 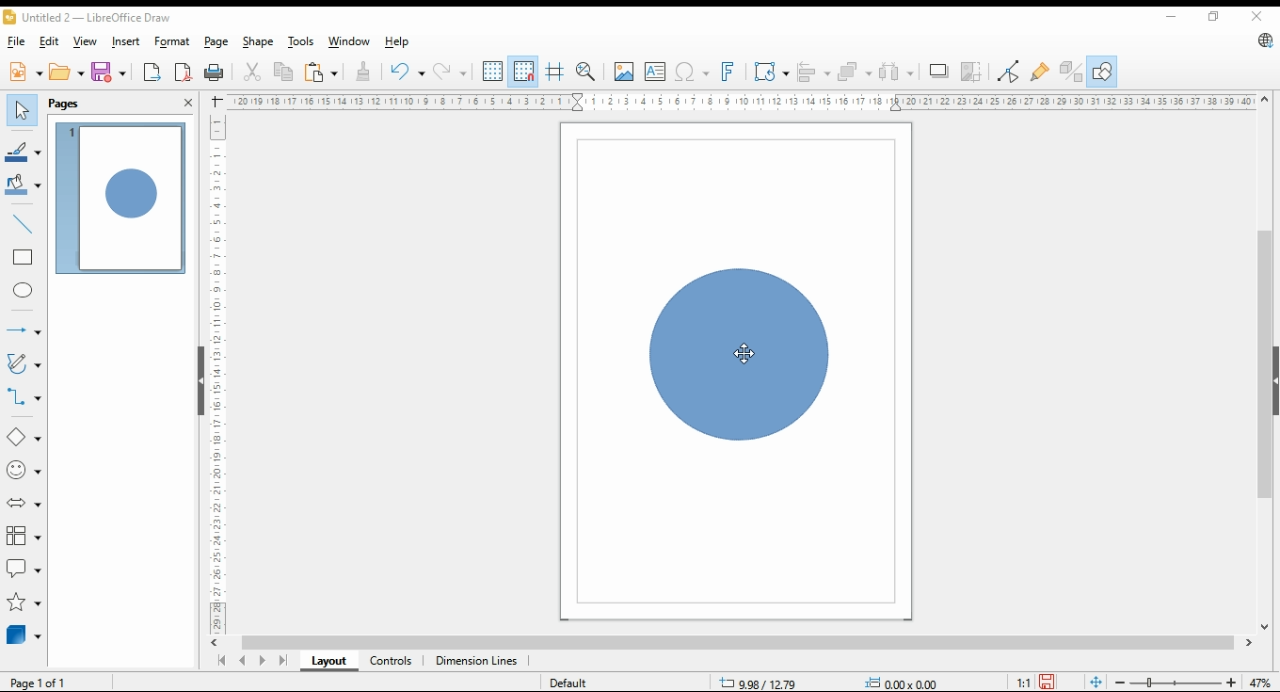 What do you see at coordinates (49, 41) in the screenshot?
I see `edit` at bounding box center [49, 41].